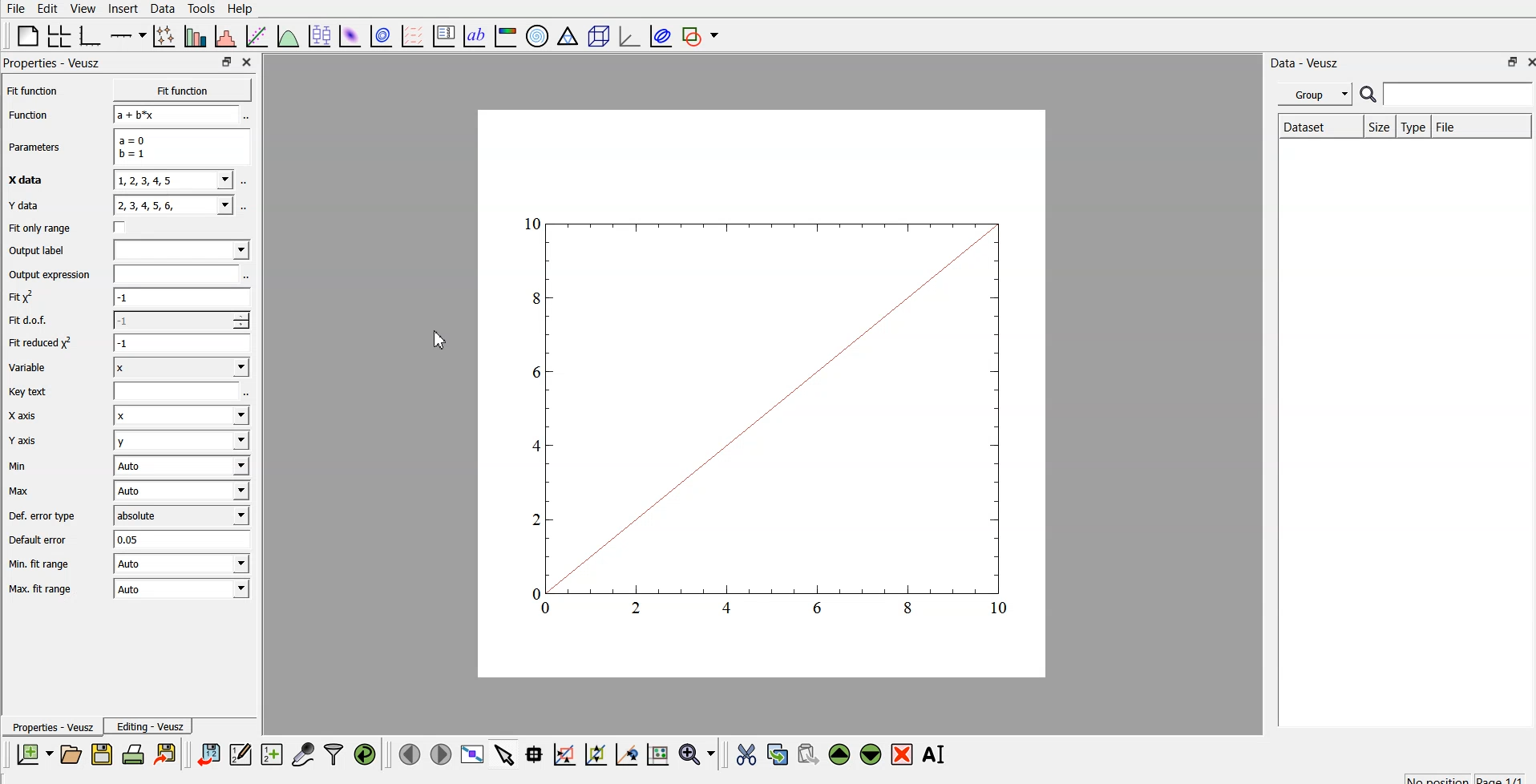 The height and width of the screenshot is (784, 1536). Describe the element at coordinates (55, 64) in the screenshot. I see `Properties - Veusz` at that location.